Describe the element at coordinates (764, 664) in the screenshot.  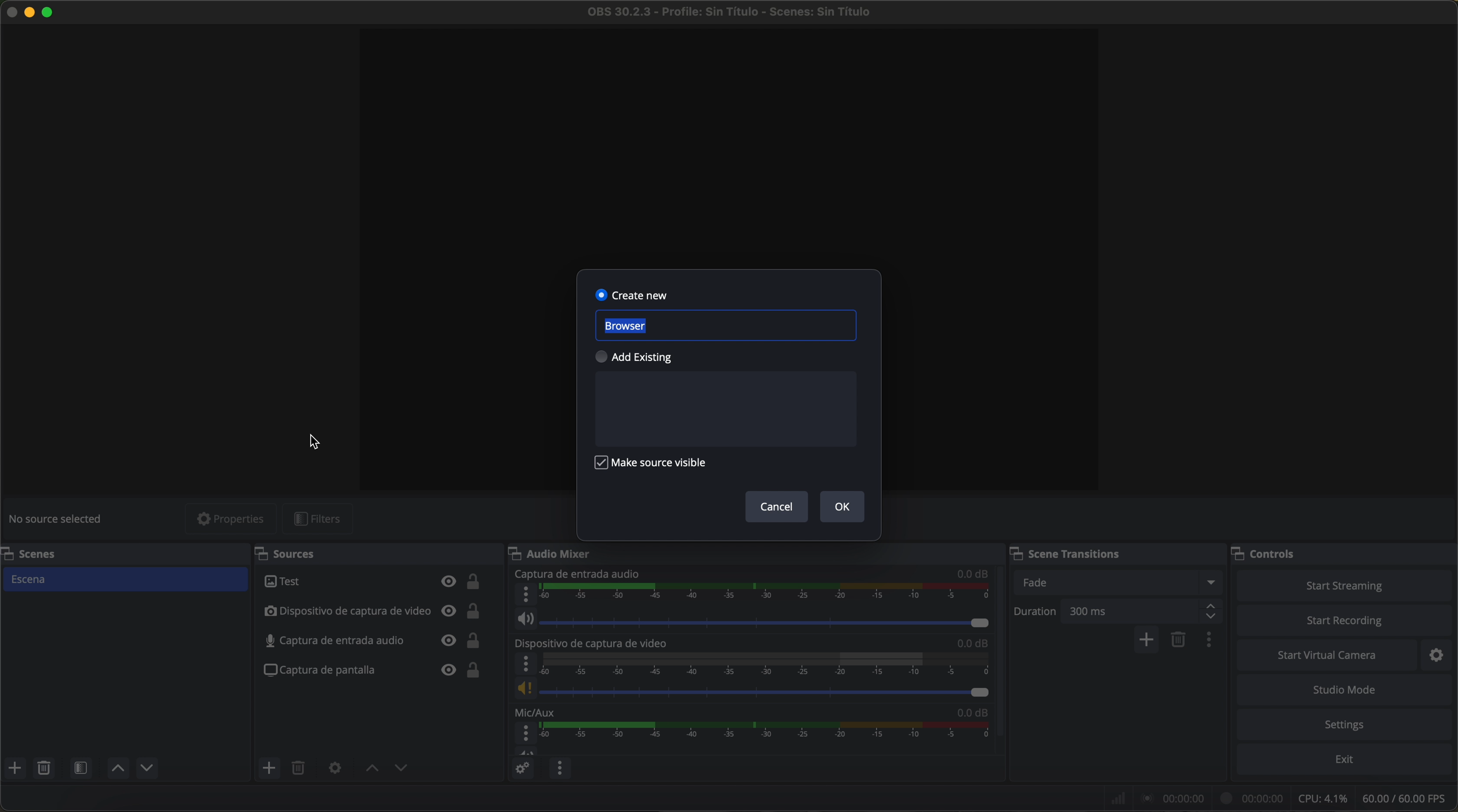
I see `timeline` at that location.